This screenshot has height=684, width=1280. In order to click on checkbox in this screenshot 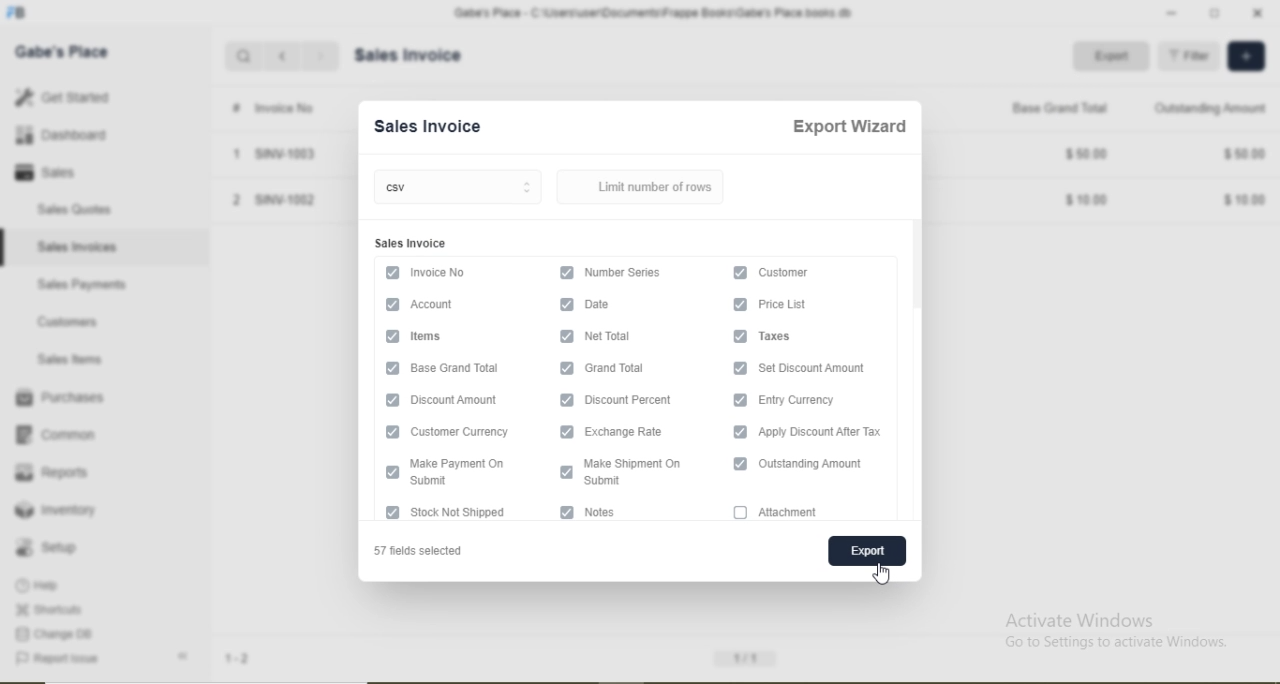, I will do `click(738, 367)`.